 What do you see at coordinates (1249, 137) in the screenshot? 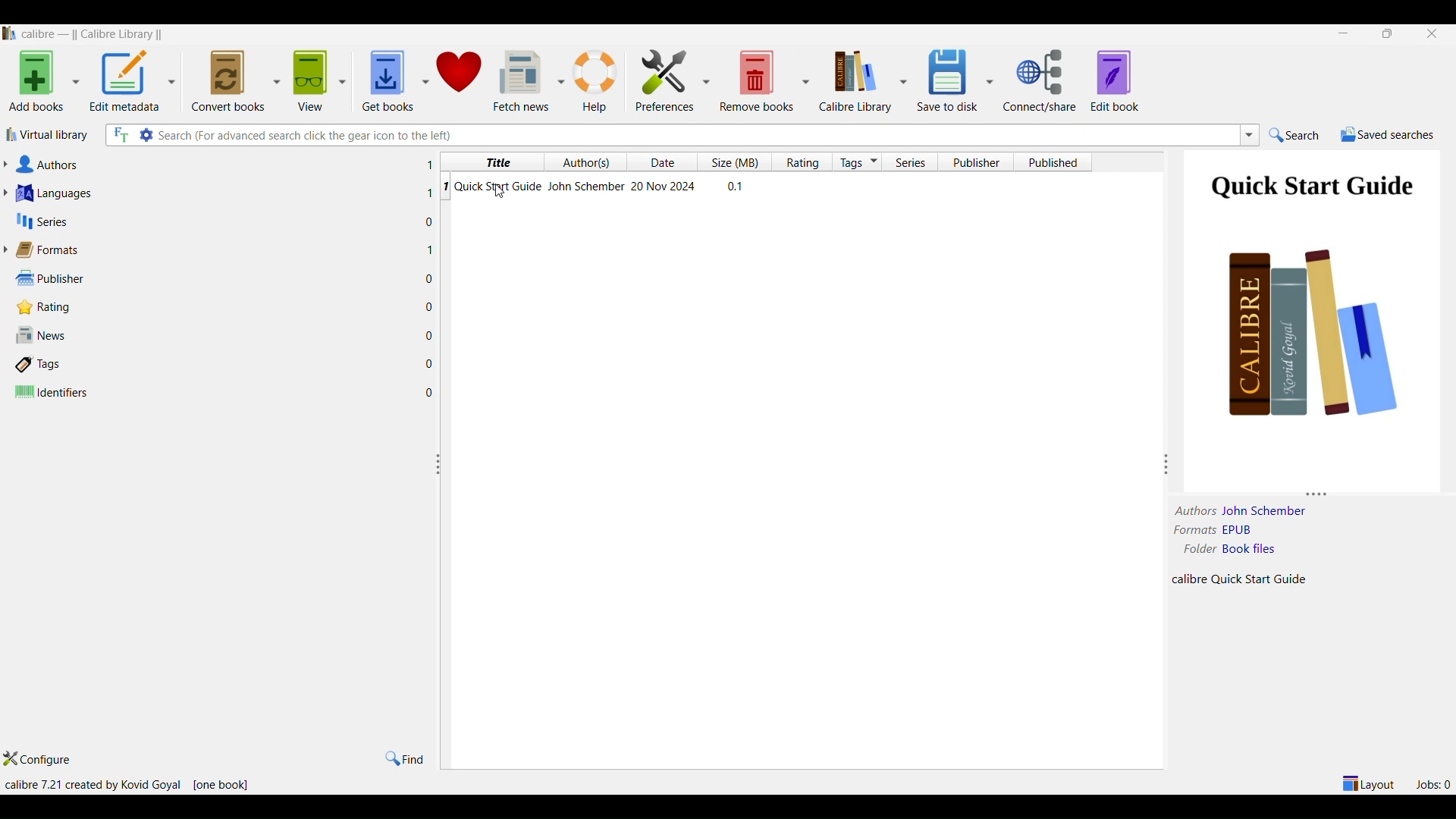
I see `search box dropdown button` at bounding box center [1249, 137].